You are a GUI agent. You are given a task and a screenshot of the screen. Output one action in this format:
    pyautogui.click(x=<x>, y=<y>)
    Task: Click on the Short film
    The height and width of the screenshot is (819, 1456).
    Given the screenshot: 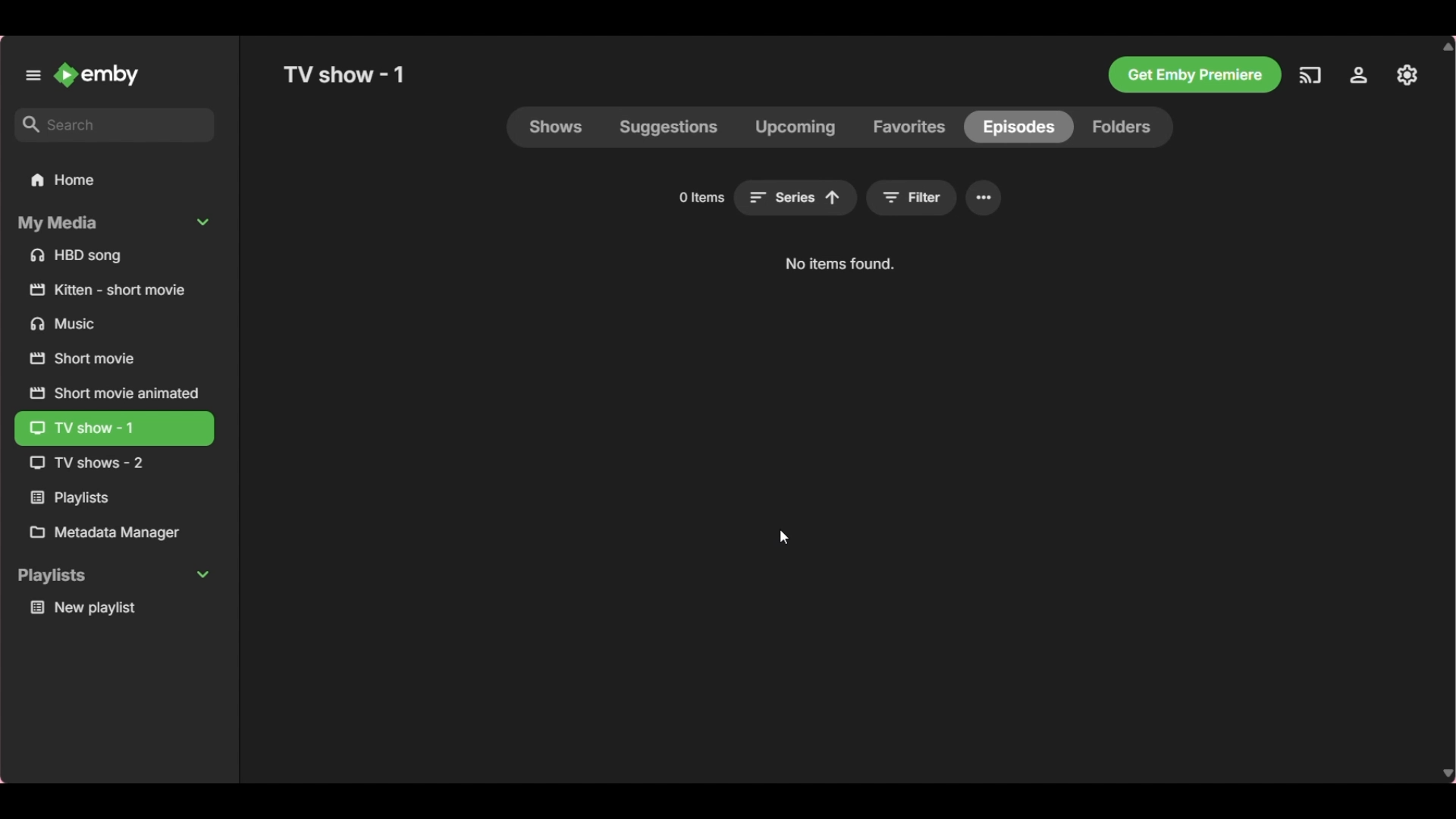 What is the action you would take?
    pyautogui.click(x=115, y=290)
    